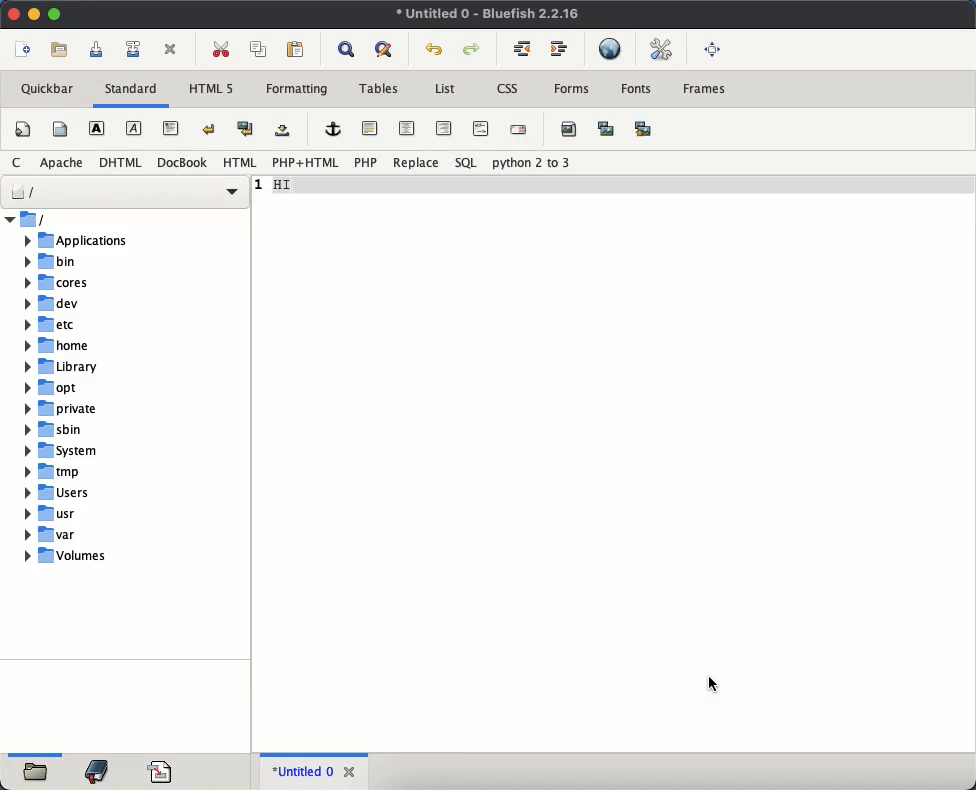 This screenshot has width=976, height=790. Describe the element at coordinates (98, 241) in the screenshot. I see `applications` at that location.